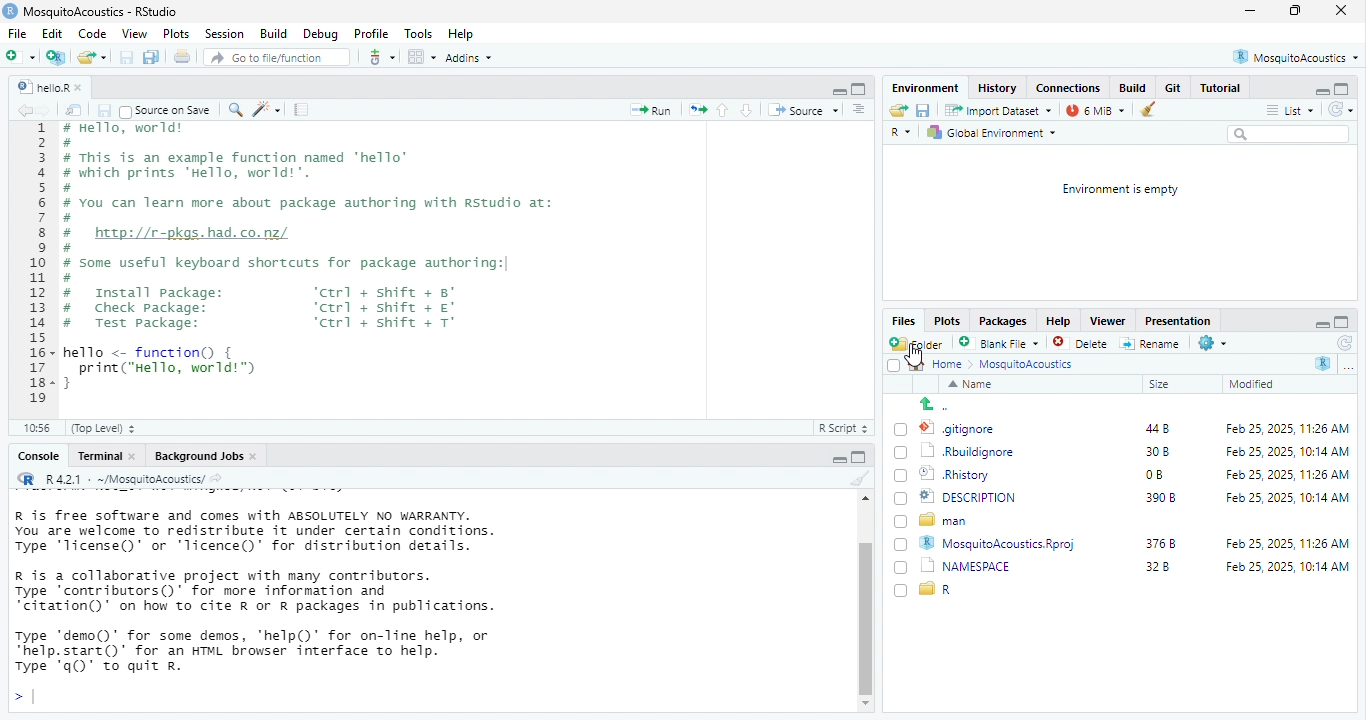  What do you see at coordinates (1280, 451) in the screenshot?
I see `Feb 25 2025 10:14 AM` at bounding box center [1280, 451].